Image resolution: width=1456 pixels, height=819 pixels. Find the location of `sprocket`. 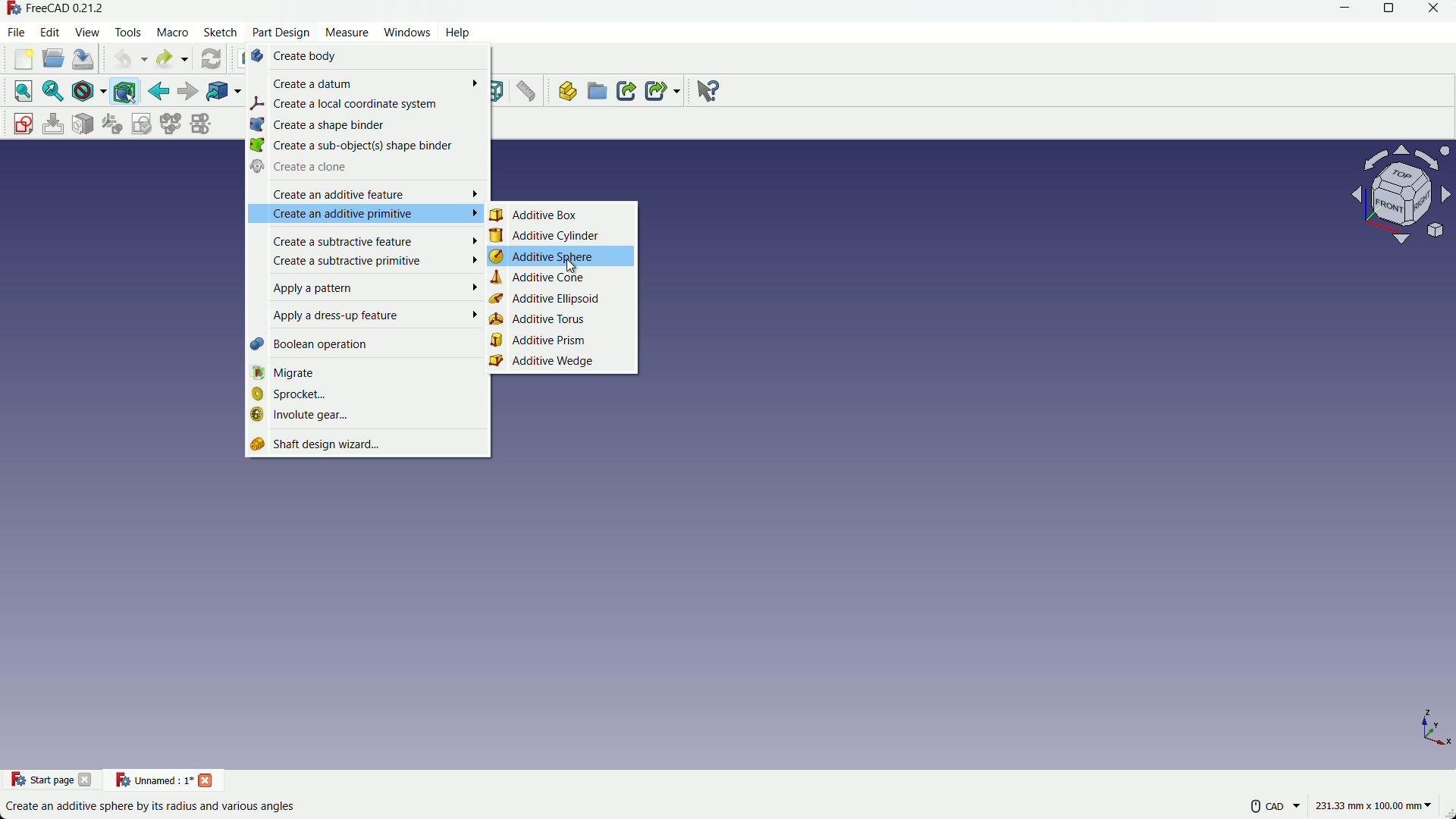

sprocket is located at coordinates (370, 396).